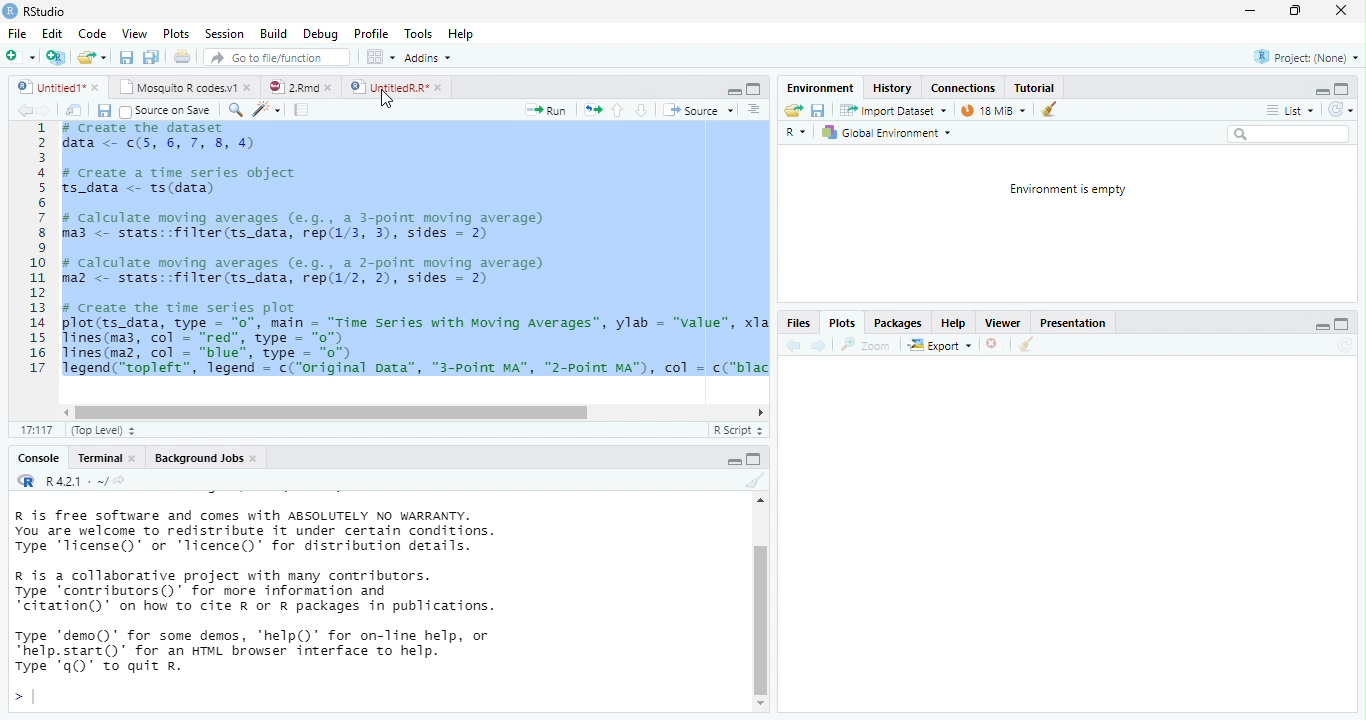  Describe the element at coordinates (618, 110) in the screenshot. I see `up` at that location.